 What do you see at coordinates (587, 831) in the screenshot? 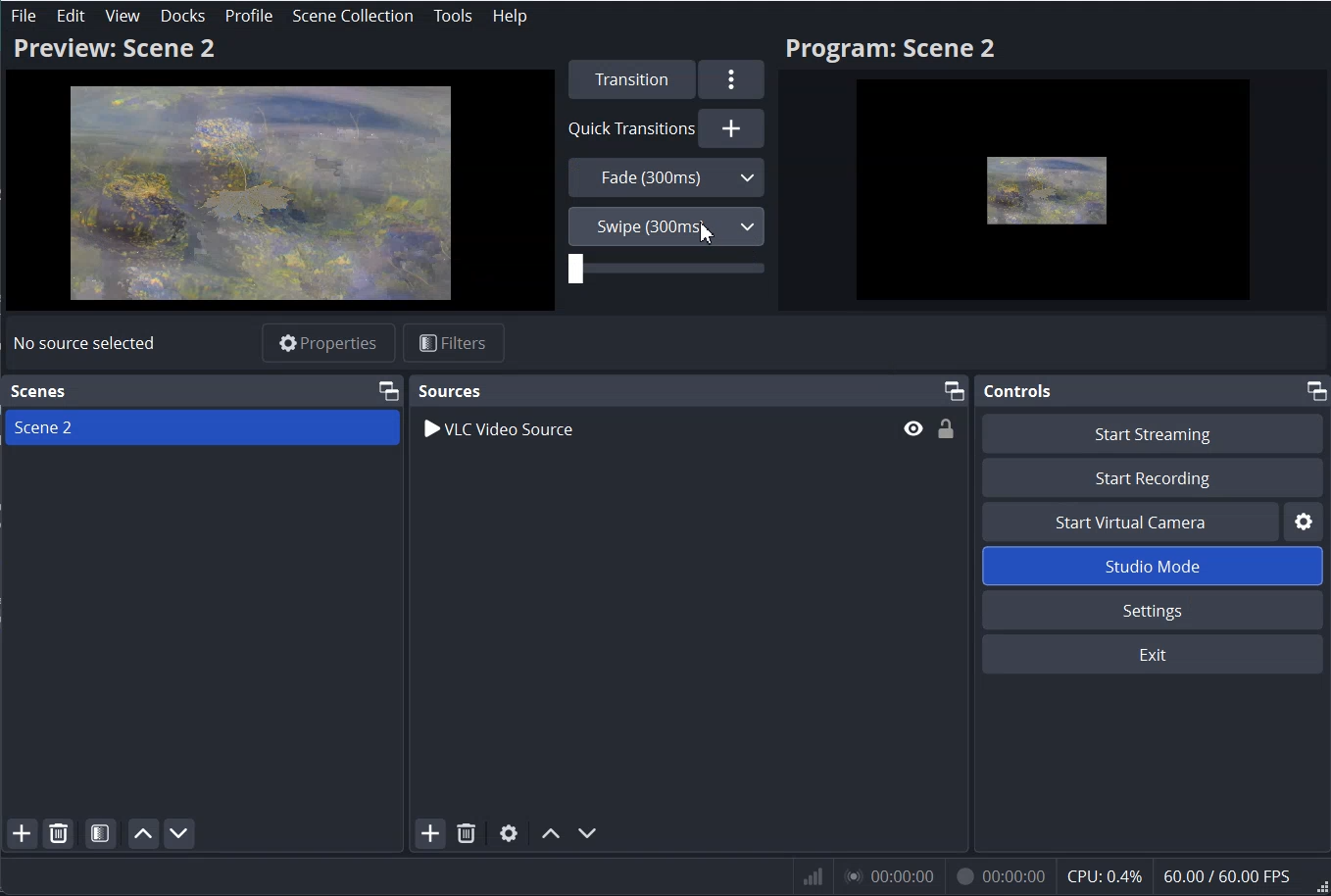
I see `Move Source Down` at bounding box center [587, 831].